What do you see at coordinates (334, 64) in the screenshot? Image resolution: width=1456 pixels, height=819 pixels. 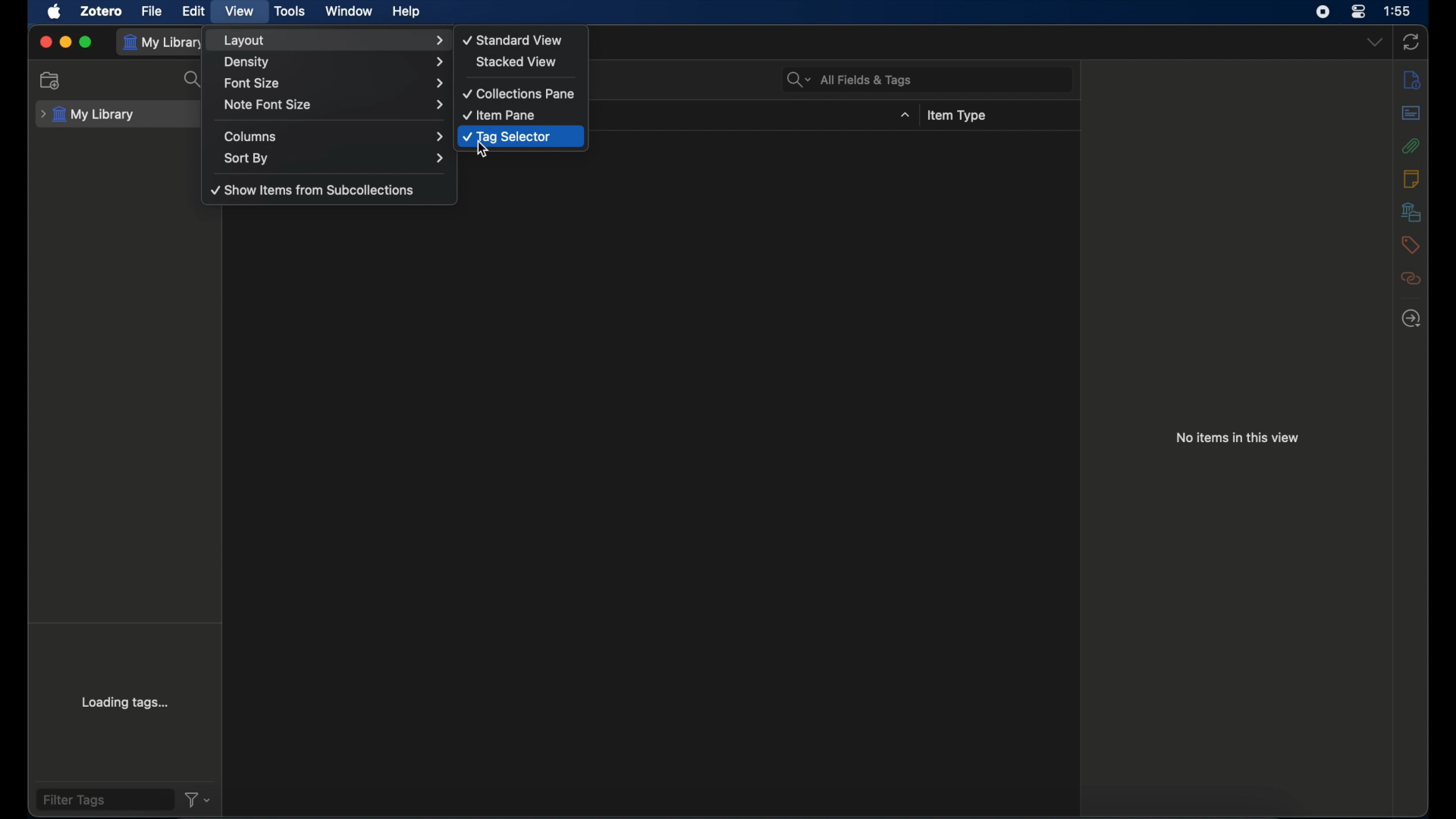 I see `density` at bounding box center [334, 64].